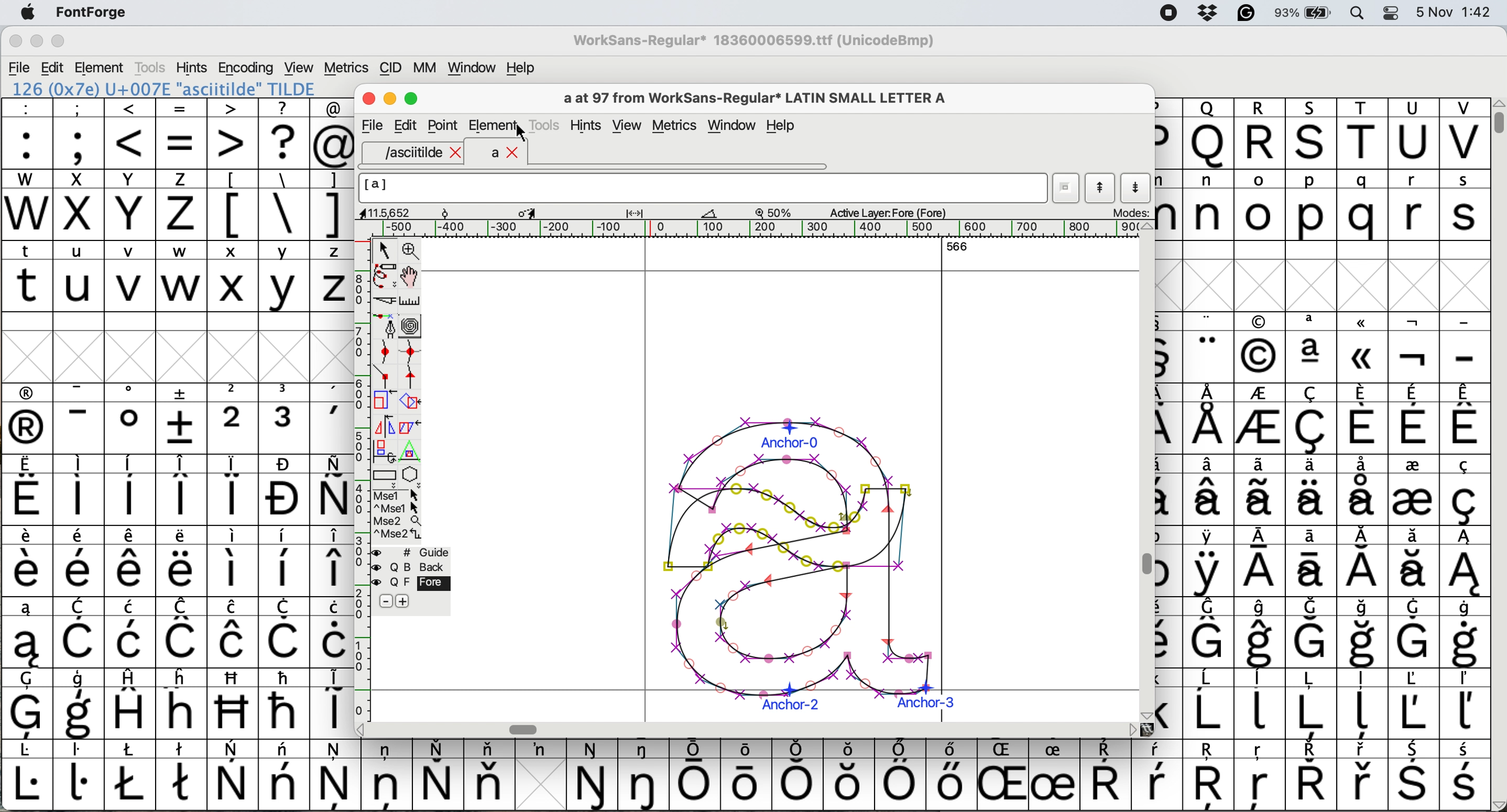 Image resolution: width=1507 pixels, height=812 pixels. Describe the element at coordinates (749, 773) in the screenshot. I see `symbol` at that location.